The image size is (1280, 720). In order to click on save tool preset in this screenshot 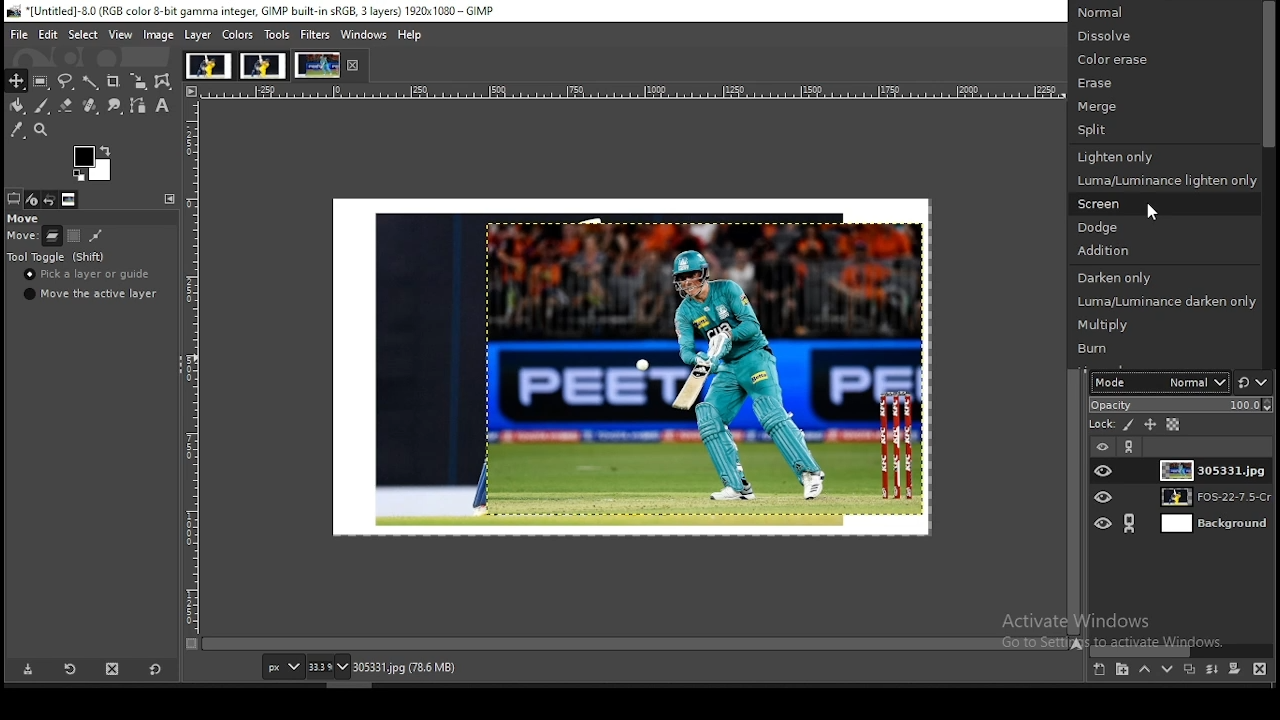, I will do `click(25, 670)`.